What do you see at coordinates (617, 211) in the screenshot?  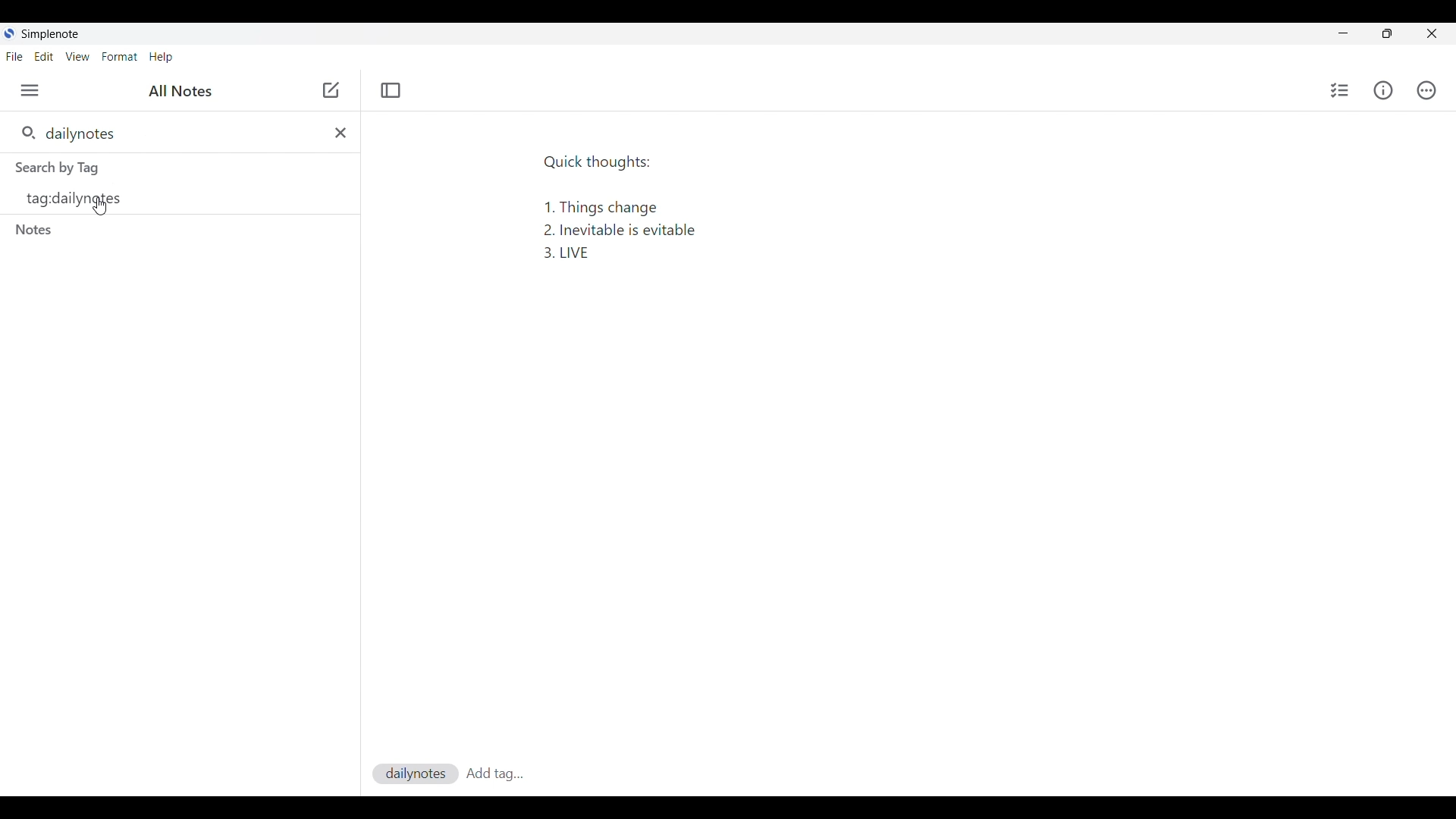 I see `Quick thoughts:

1. Things change

2. Inevitable is evitable
3. LIVE` at bounding box center [617, 211].